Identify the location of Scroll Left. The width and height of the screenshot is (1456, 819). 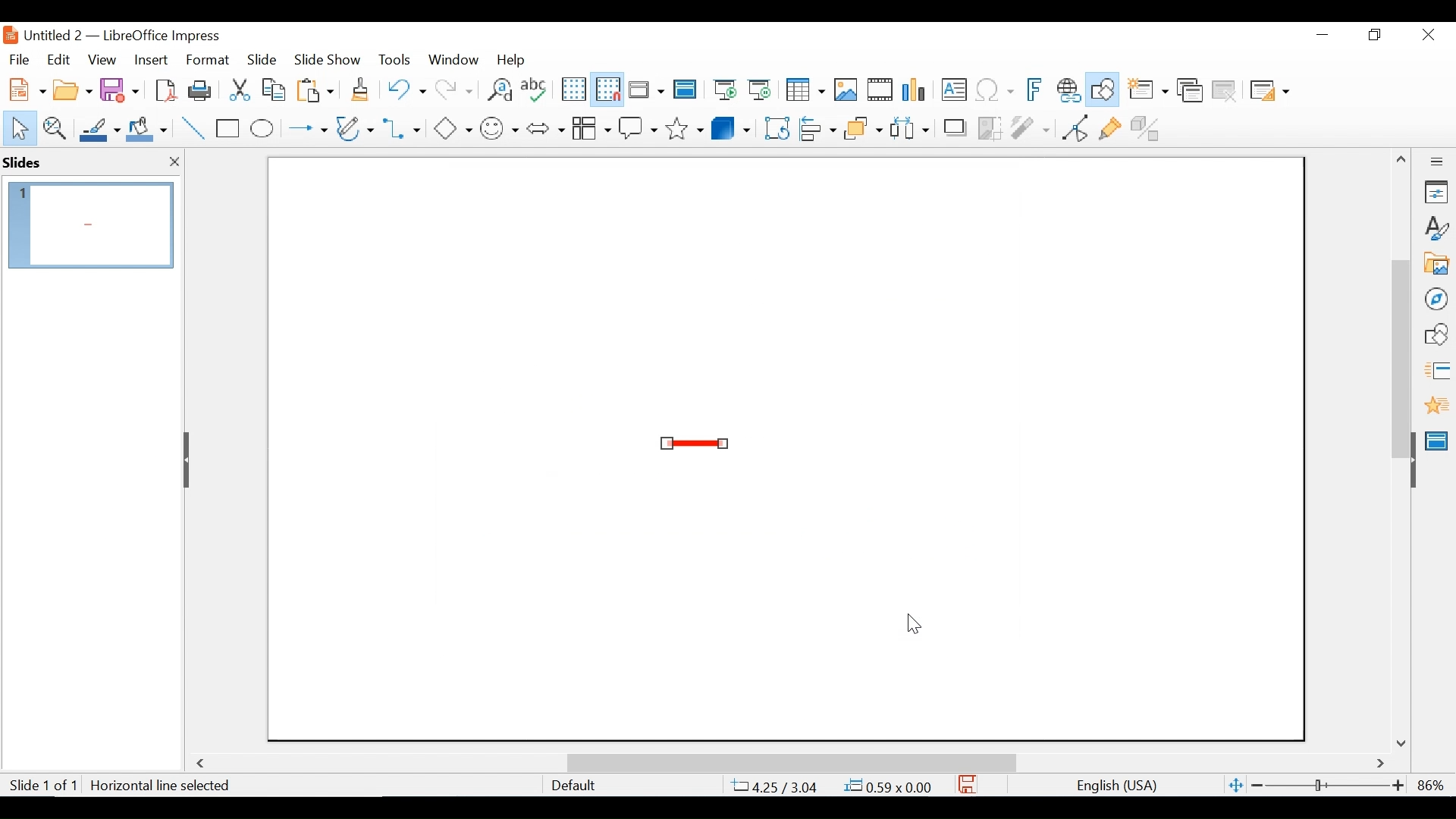
(203, 764).